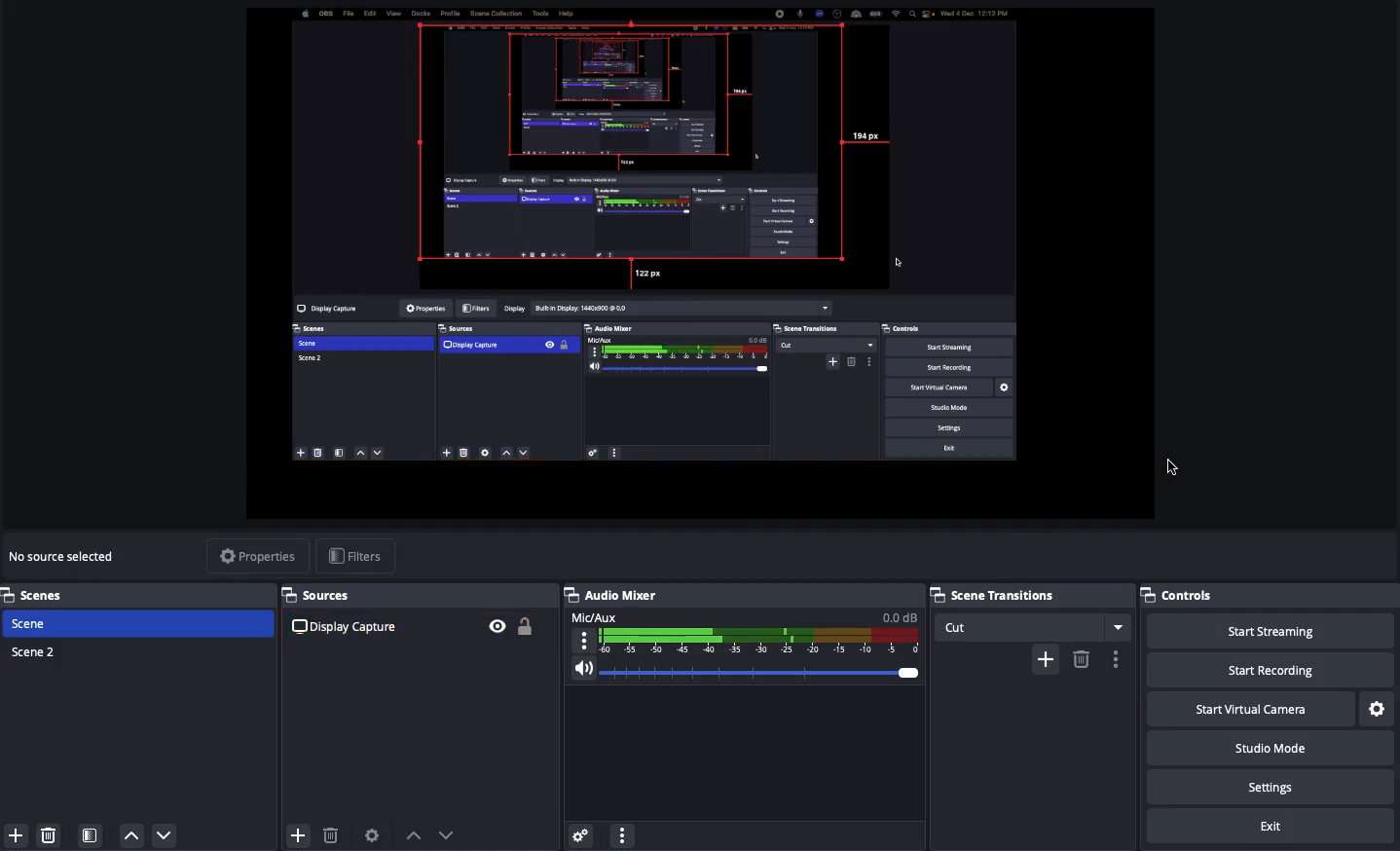 This screenshot has height=851, width=1400. Describe the element at coordinates (355, 556) in the screenshot. I see `Fitters` at that location.